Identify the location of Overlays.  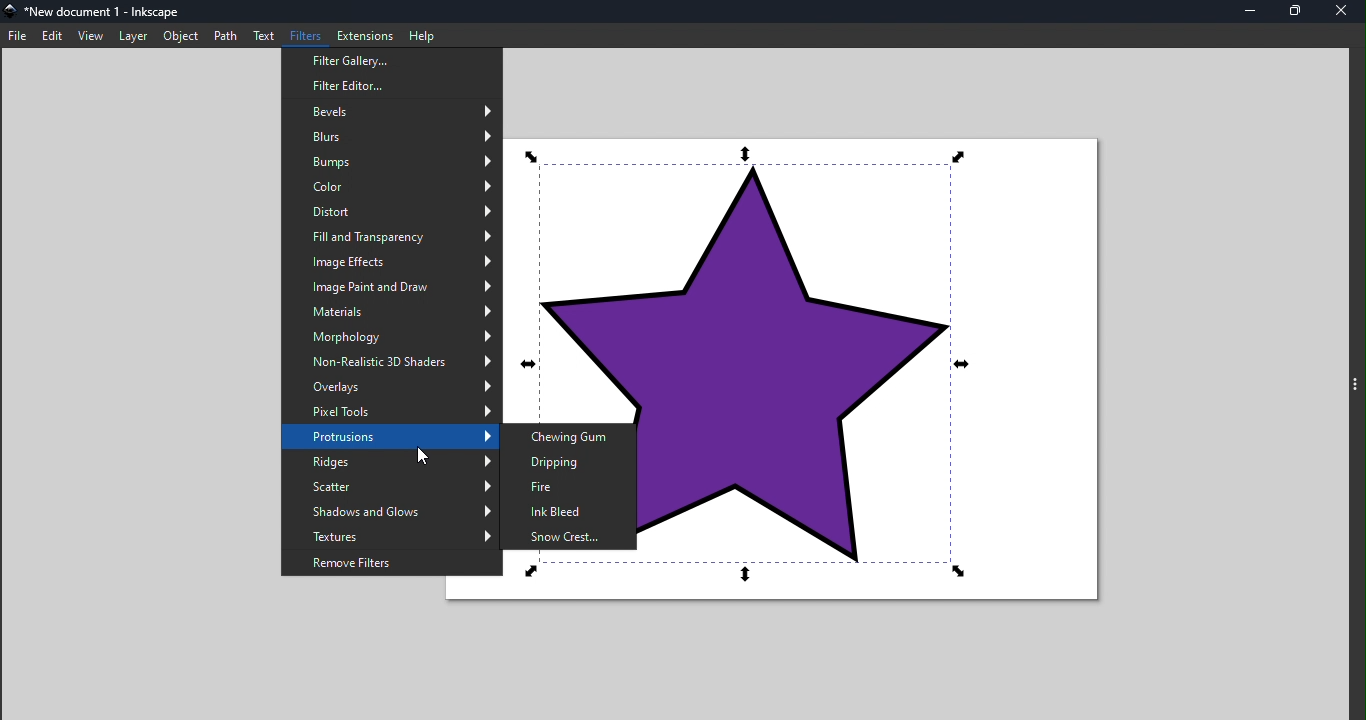
(388, 389).